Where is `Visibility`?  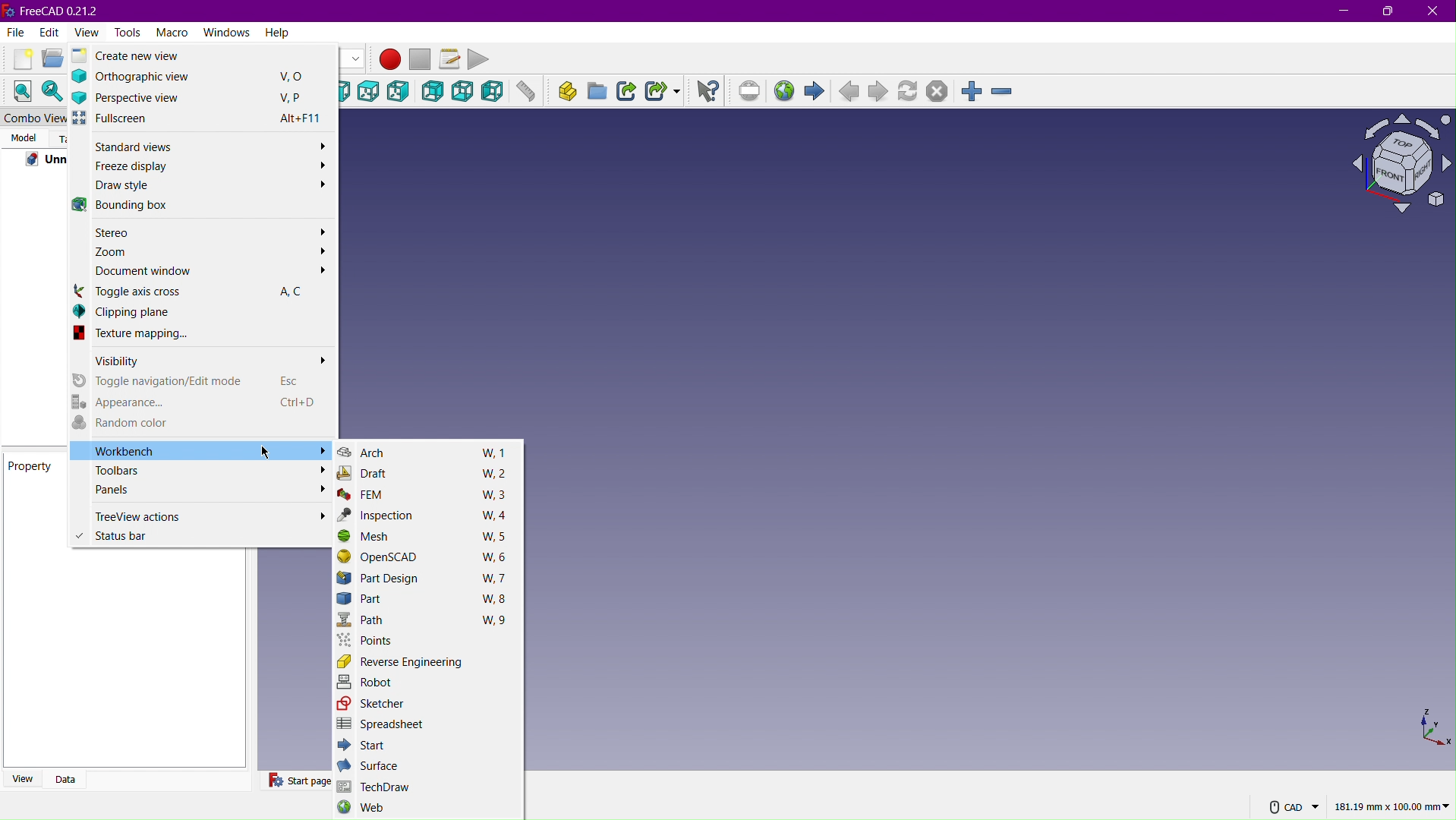
Visibility is located at coordinates (205, 359).